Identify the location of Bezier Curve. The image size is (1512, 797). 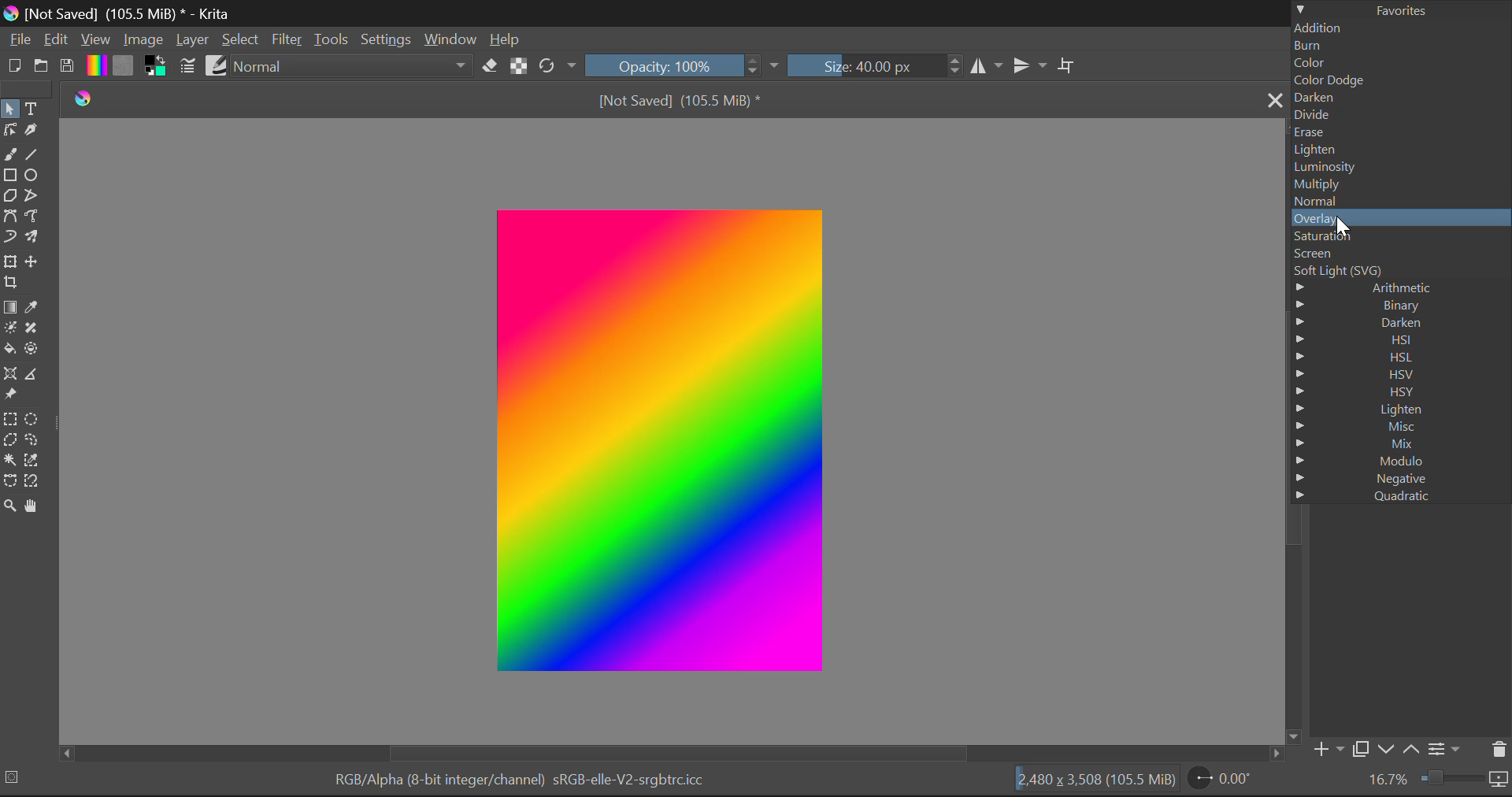
(10, 216).